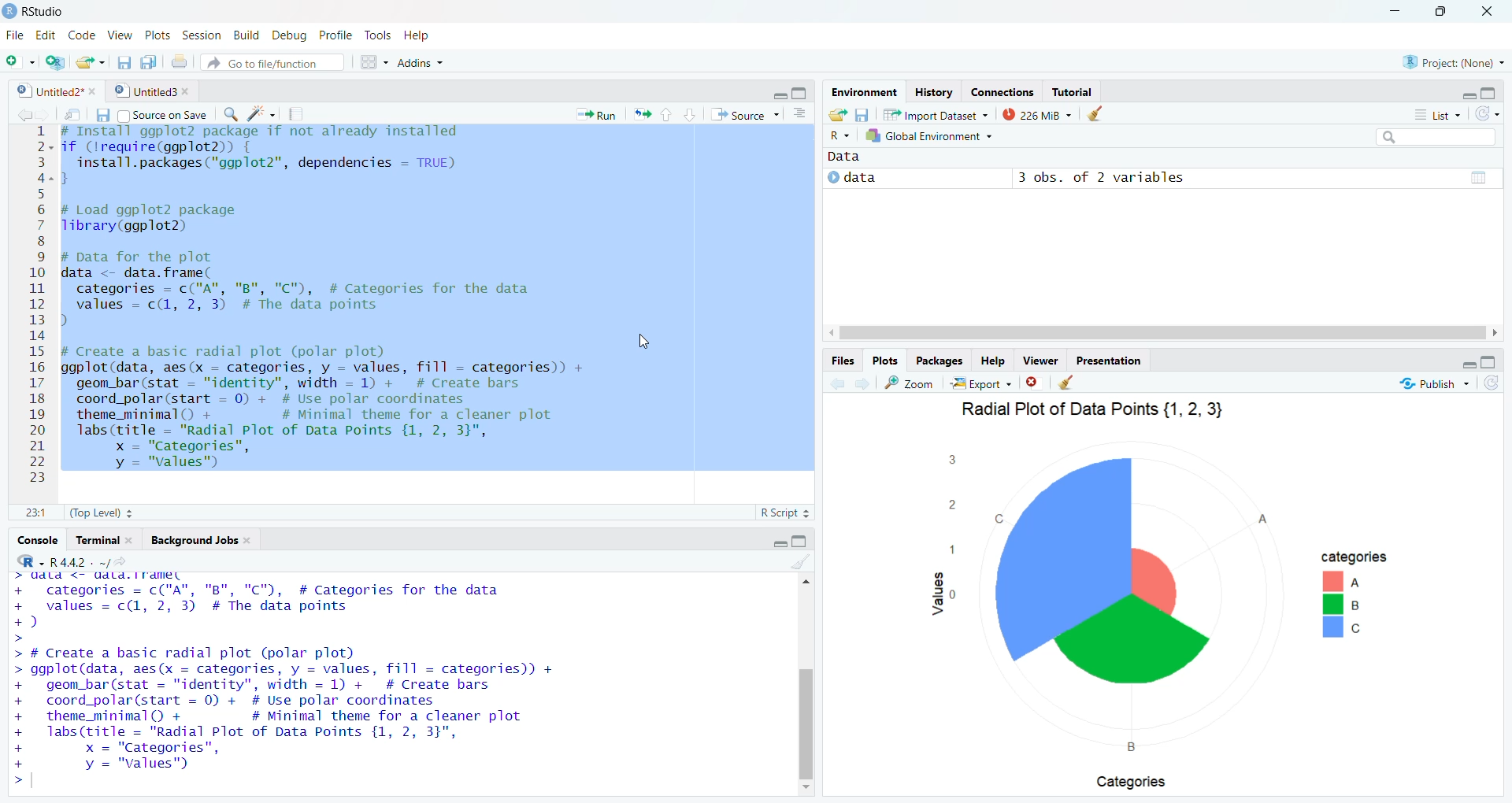  What do you see at coordinates (424, 298) in the screenshot?
I see `# Install ggplot2 package if not already installed ~~if (lrequire(ggplot2)) {install.packages ("ggplot2", dependencies - TRUE)}# Load ggplot2 packageTibrary(ggplot2)# Data for the plotdata <- data.frame(categories = c("A", "B", "C"), # Categories for the datavalues = c(1, 2, 3) # The data pointsp)# Create a basic radial plot (polar plot)ggplot(data, aes(x - categories, y = values, fill = categories)) +geom_bar (stat = "identity", width = 1) + # Create barscoord_polar(start = 0) + # Use polar coordinatestheme_minimal() + # Minimal theme for a cleaner plotlabs (title = "Radial Plot of Data Points {1, 2, 3}",x = "Categories",vy = "values` at bounding box center [424, 298].